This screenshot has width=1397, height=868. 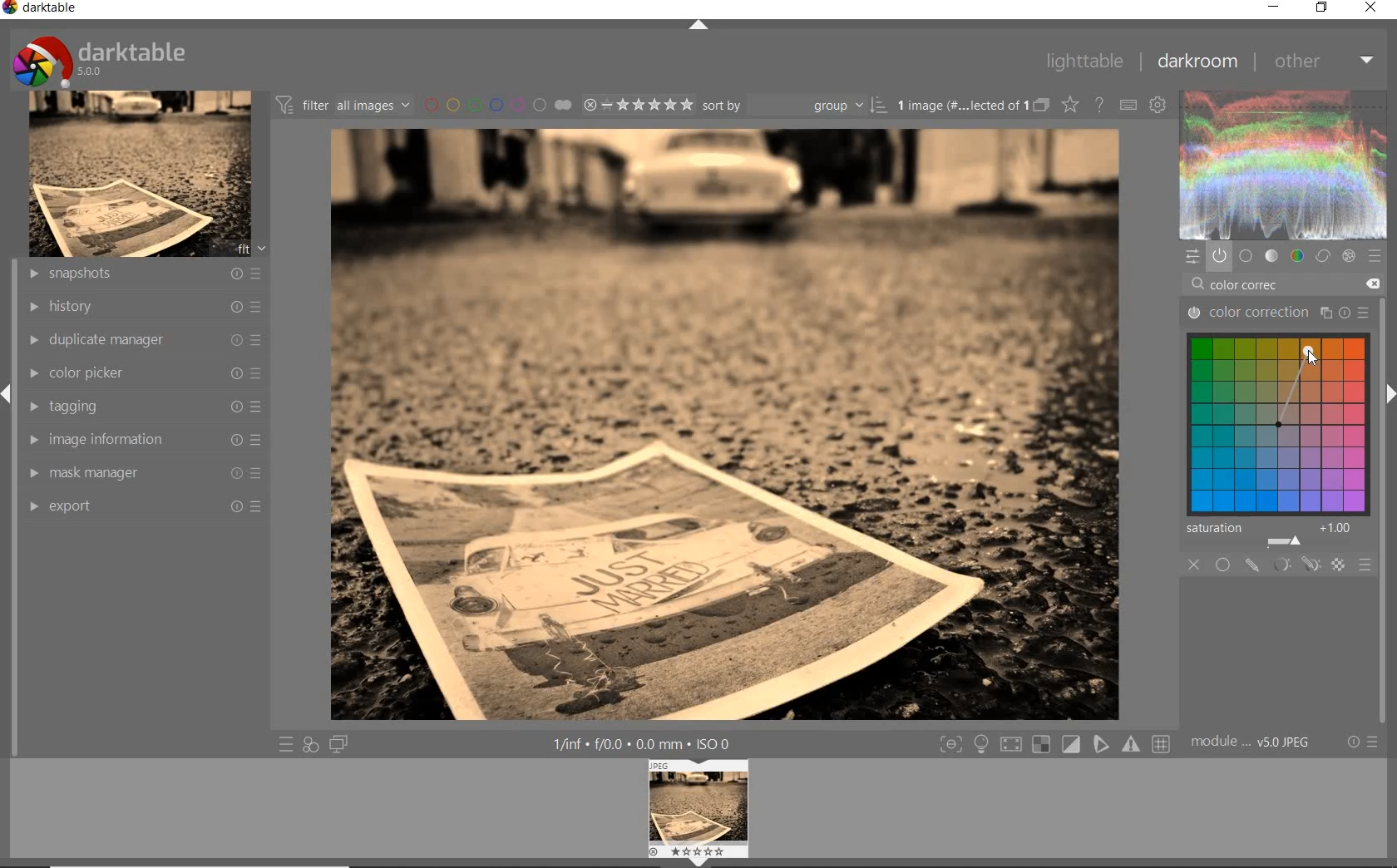 I want to click on duplicate manager, so click(x=142, y=341).